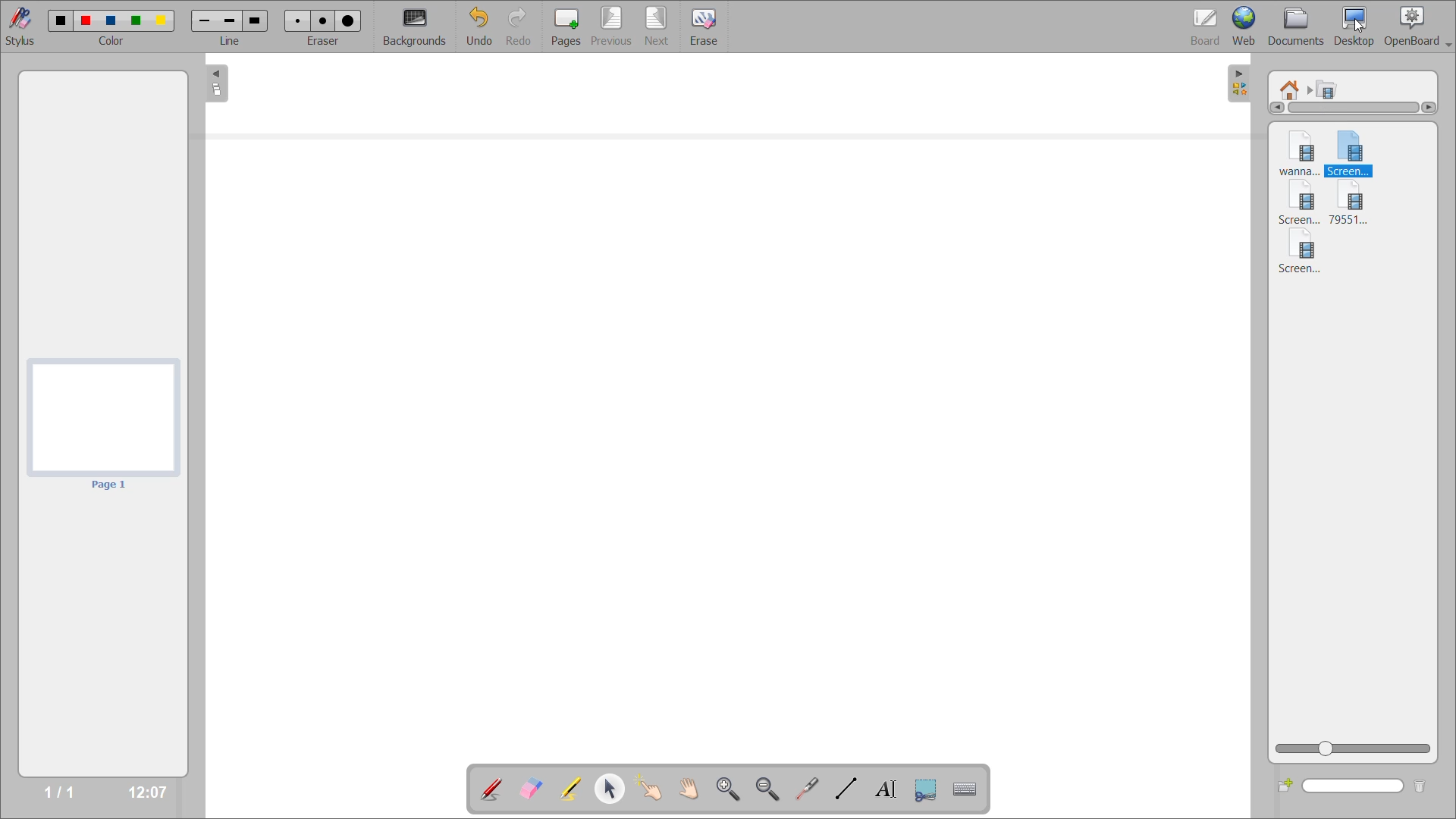  I want to click on Large line, so click(256, 20).